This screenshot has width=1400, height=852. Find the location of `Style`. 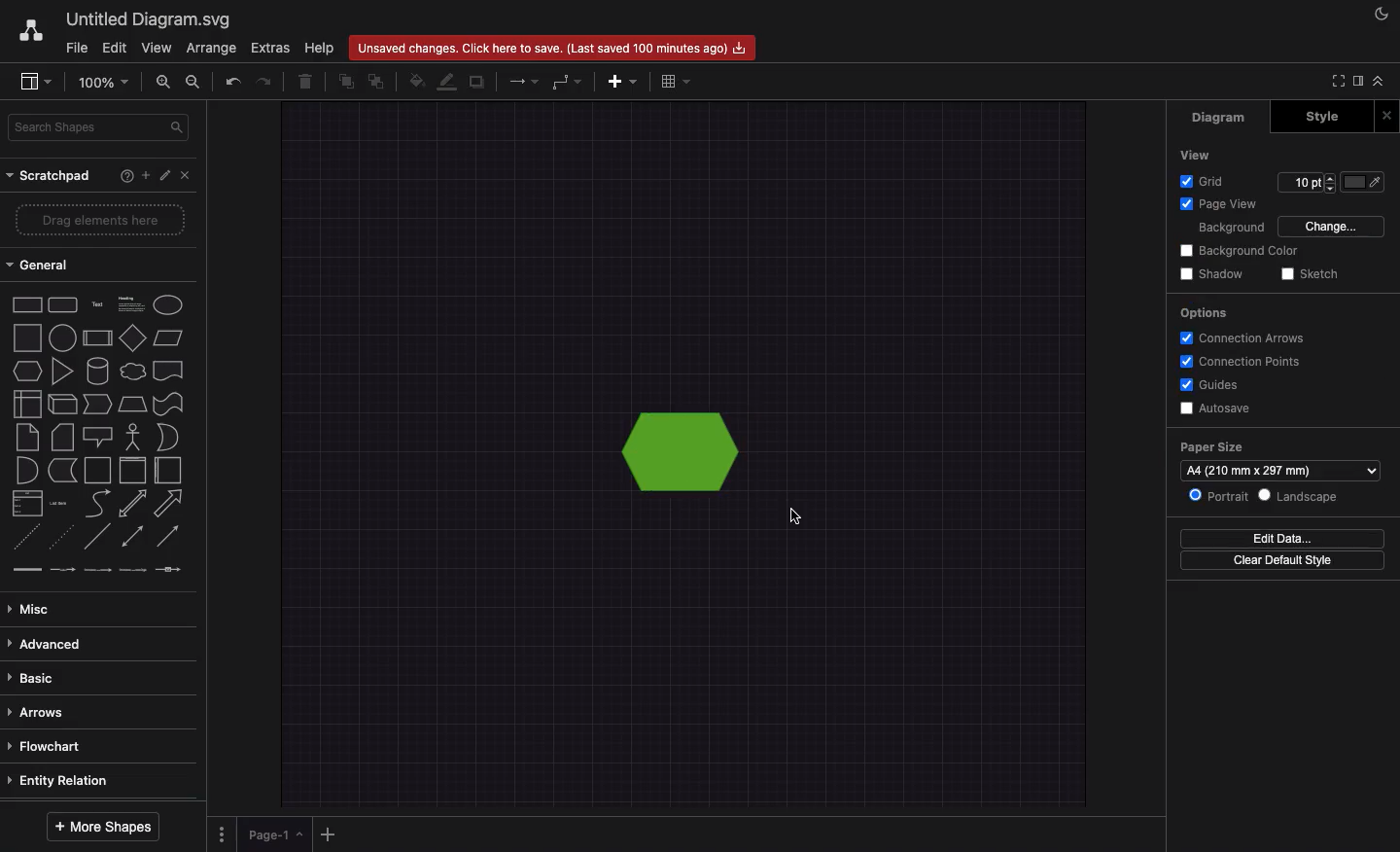

Style is located at coordinates (1320, 117).